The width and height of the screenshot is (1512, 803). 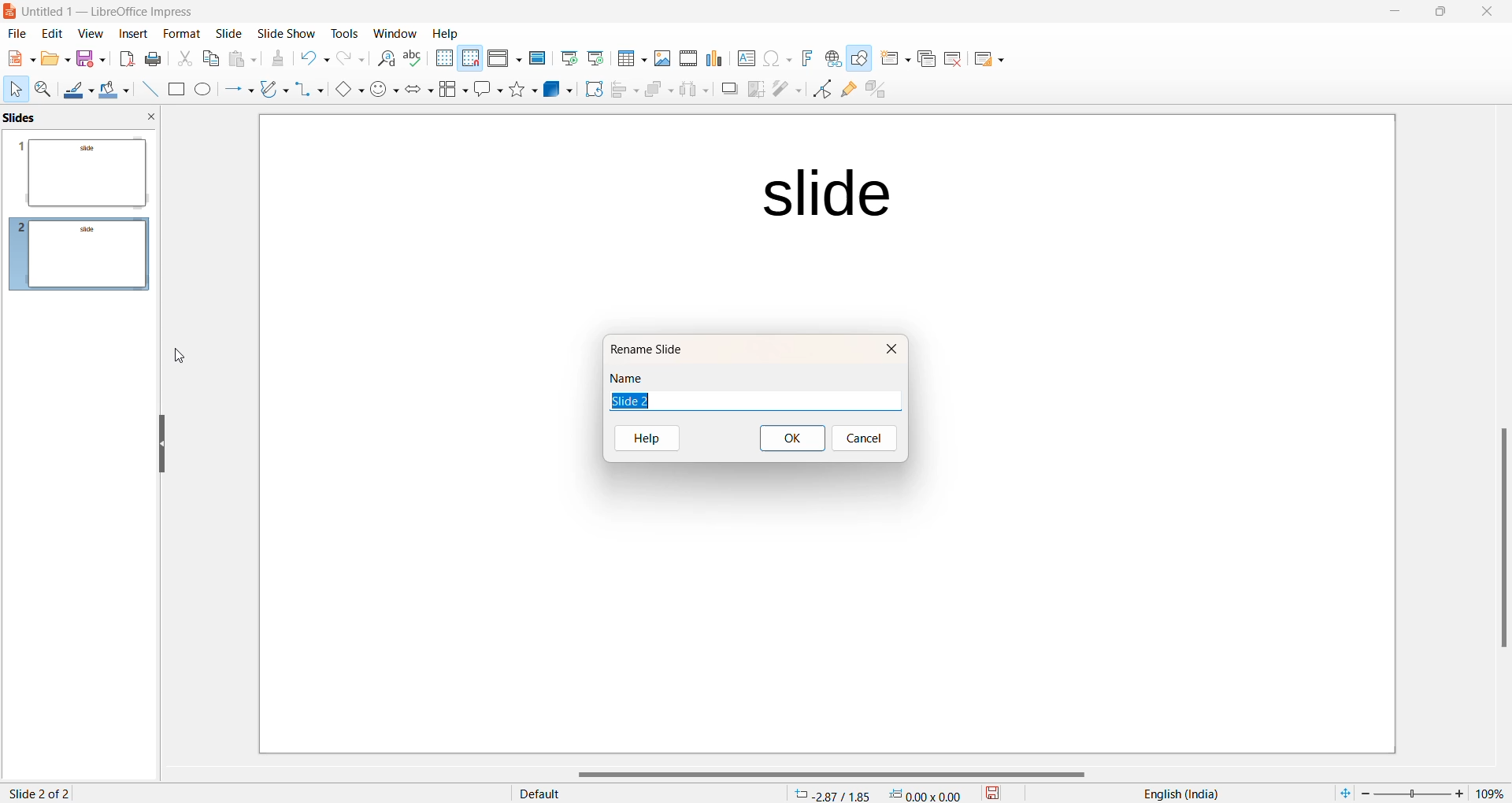 I want to click on rename slide option, so click(x=658, y=348).